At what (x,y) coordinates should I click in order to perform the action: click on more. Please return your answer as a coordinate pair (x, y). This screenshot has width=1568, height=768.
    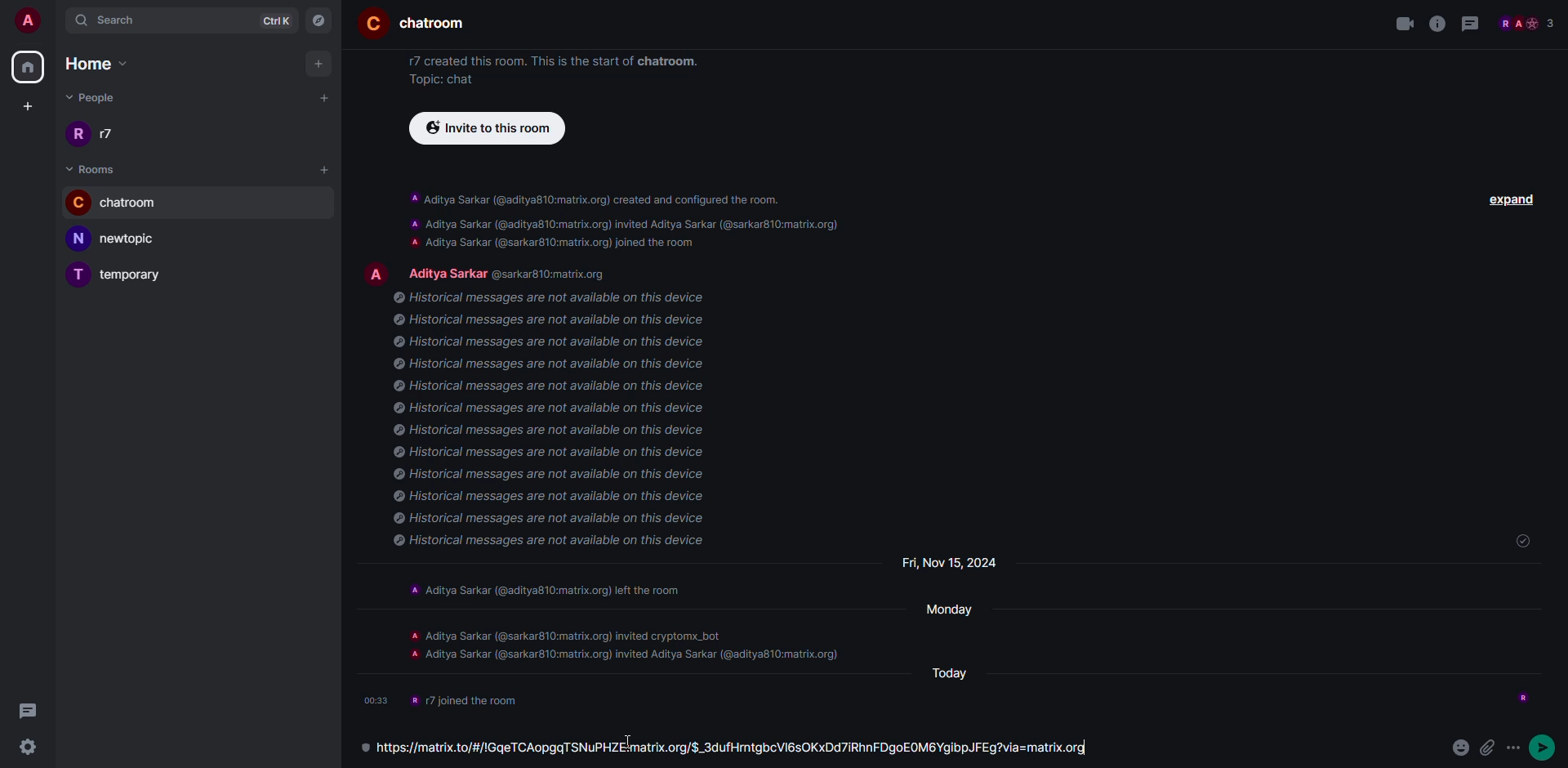
    Looking at the image, I should click on (1516, 747).